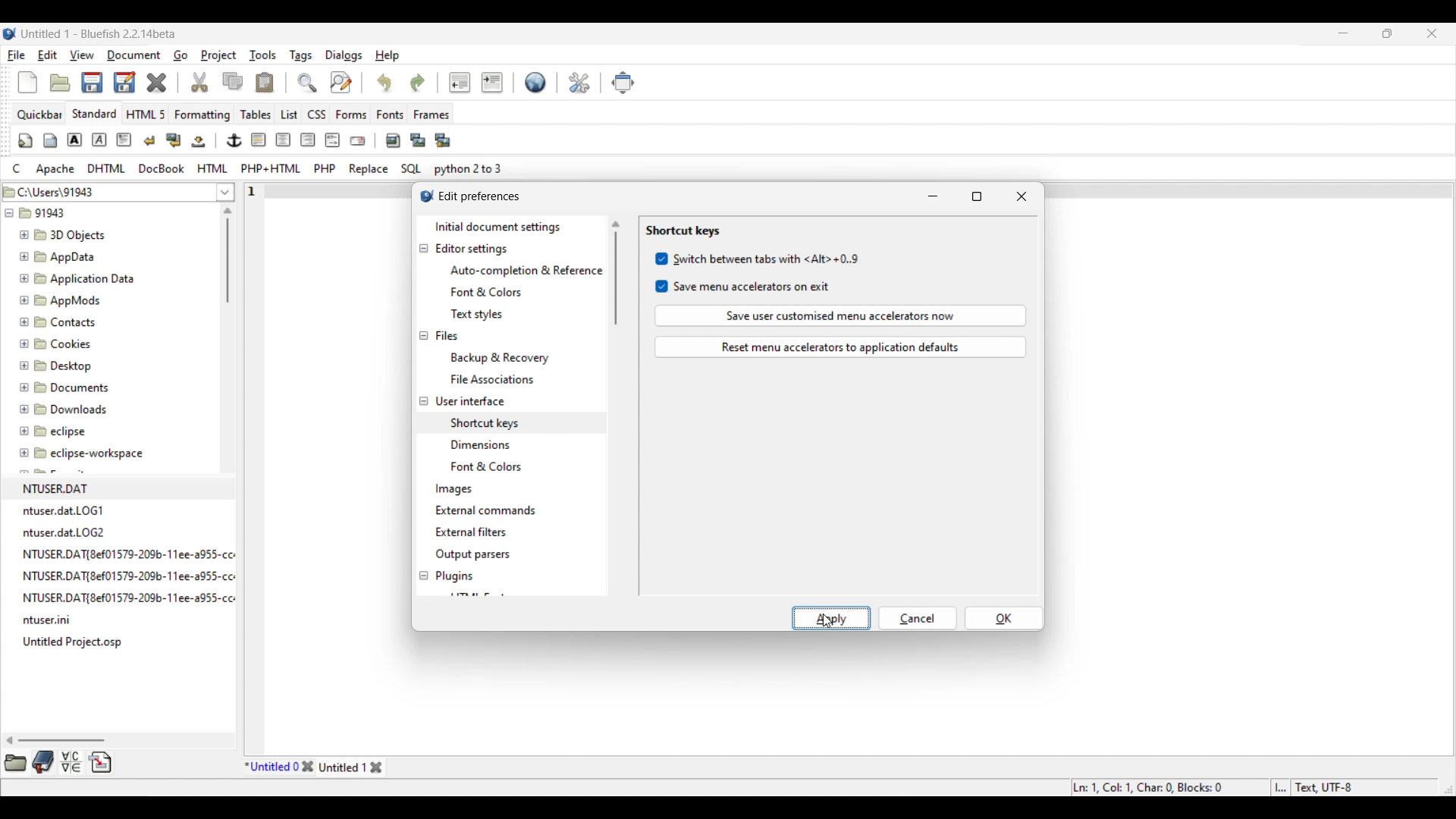 This screenshot has height=819, width=1456. What do you see at coordinates (1004, 618) in the screenshot?
I see `OK` at bounding box center [1004, 618].